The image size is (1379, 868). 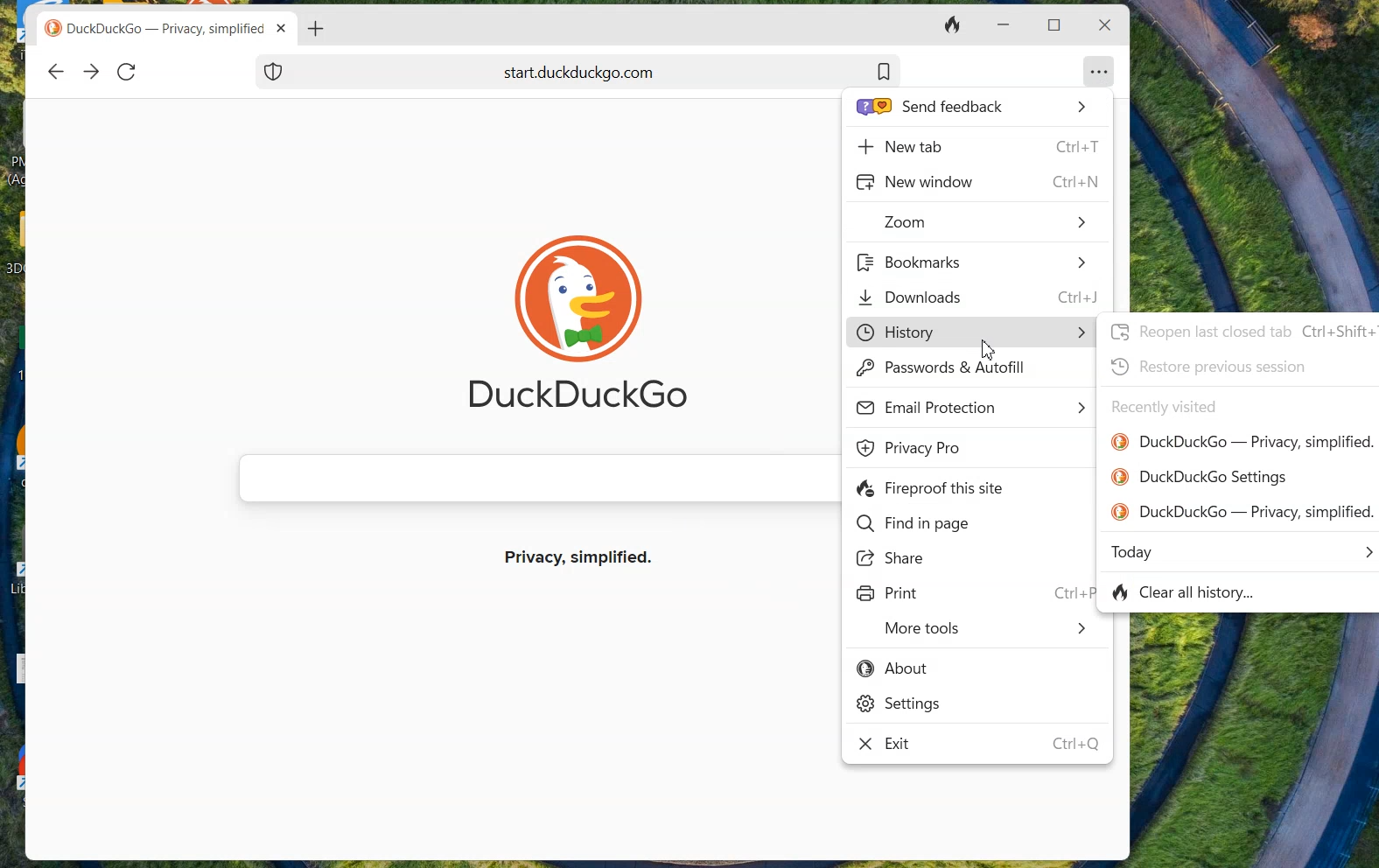 I want to click on Share, so click(x=896, y=560).